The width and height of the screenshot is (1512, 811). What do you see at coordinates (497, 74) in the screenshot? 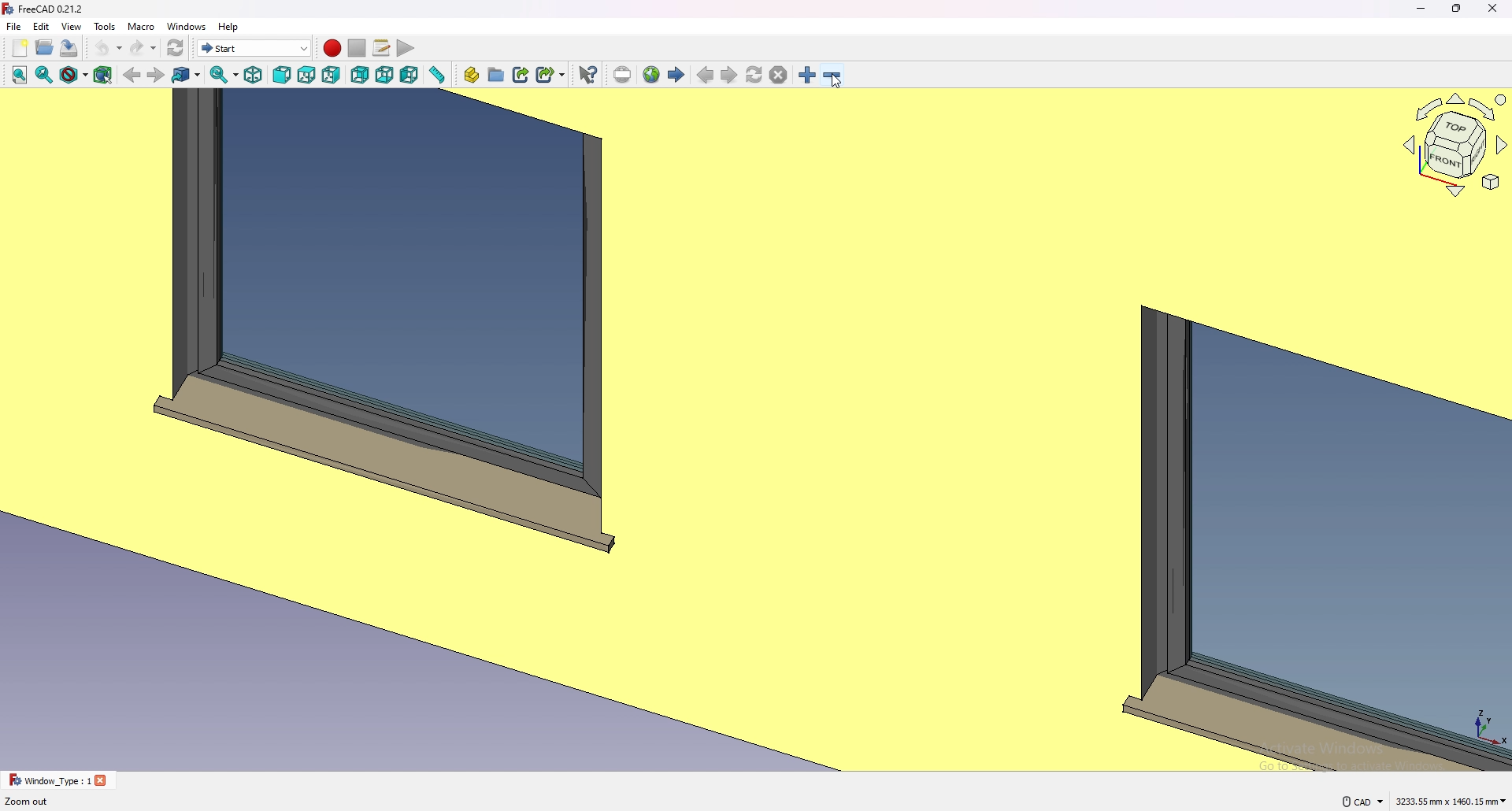
I see `create group` at bounding box center [497, 74].